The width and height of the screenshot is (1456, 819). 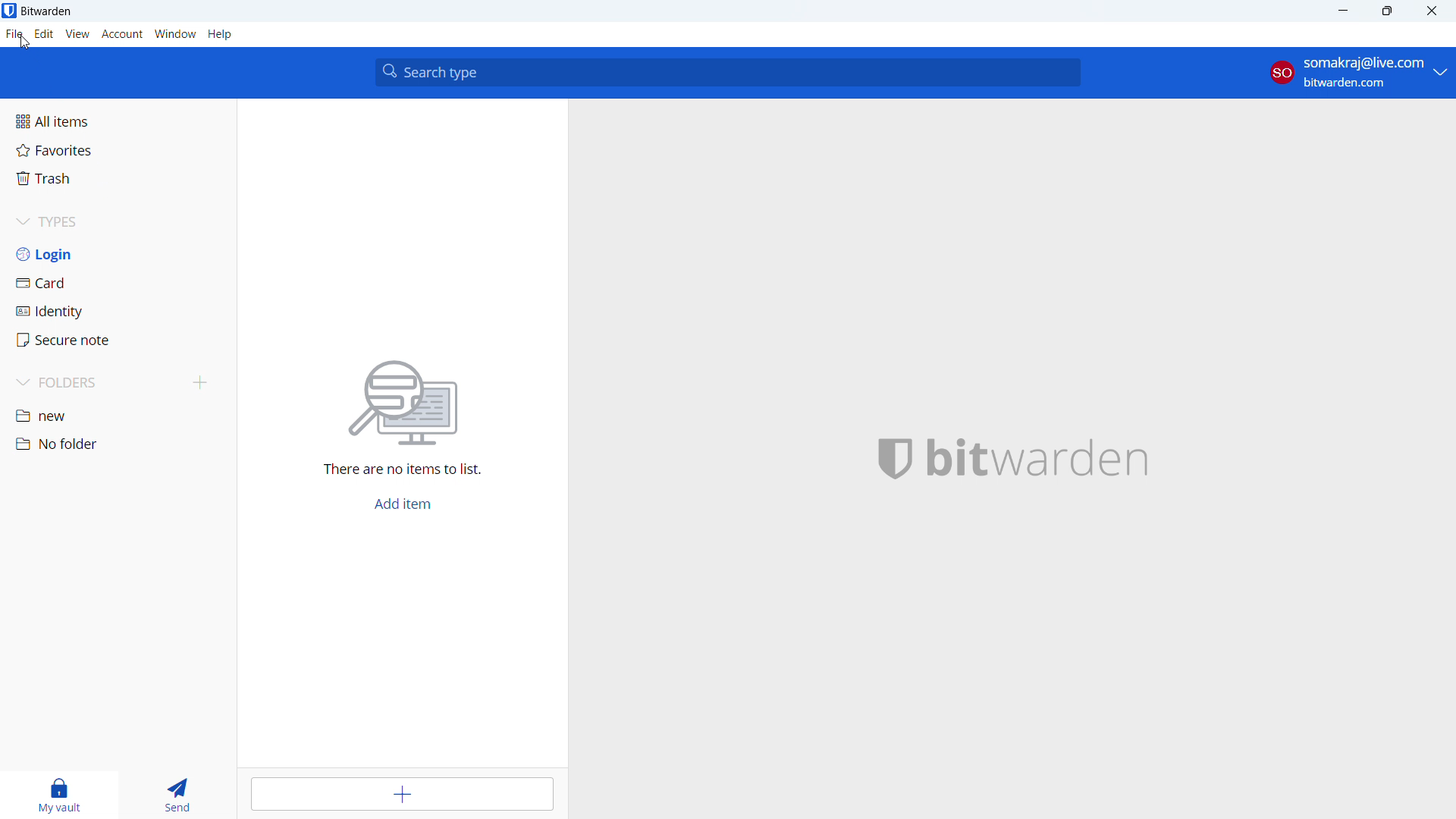 I want to click on secure note, so click(x=118, y=340).